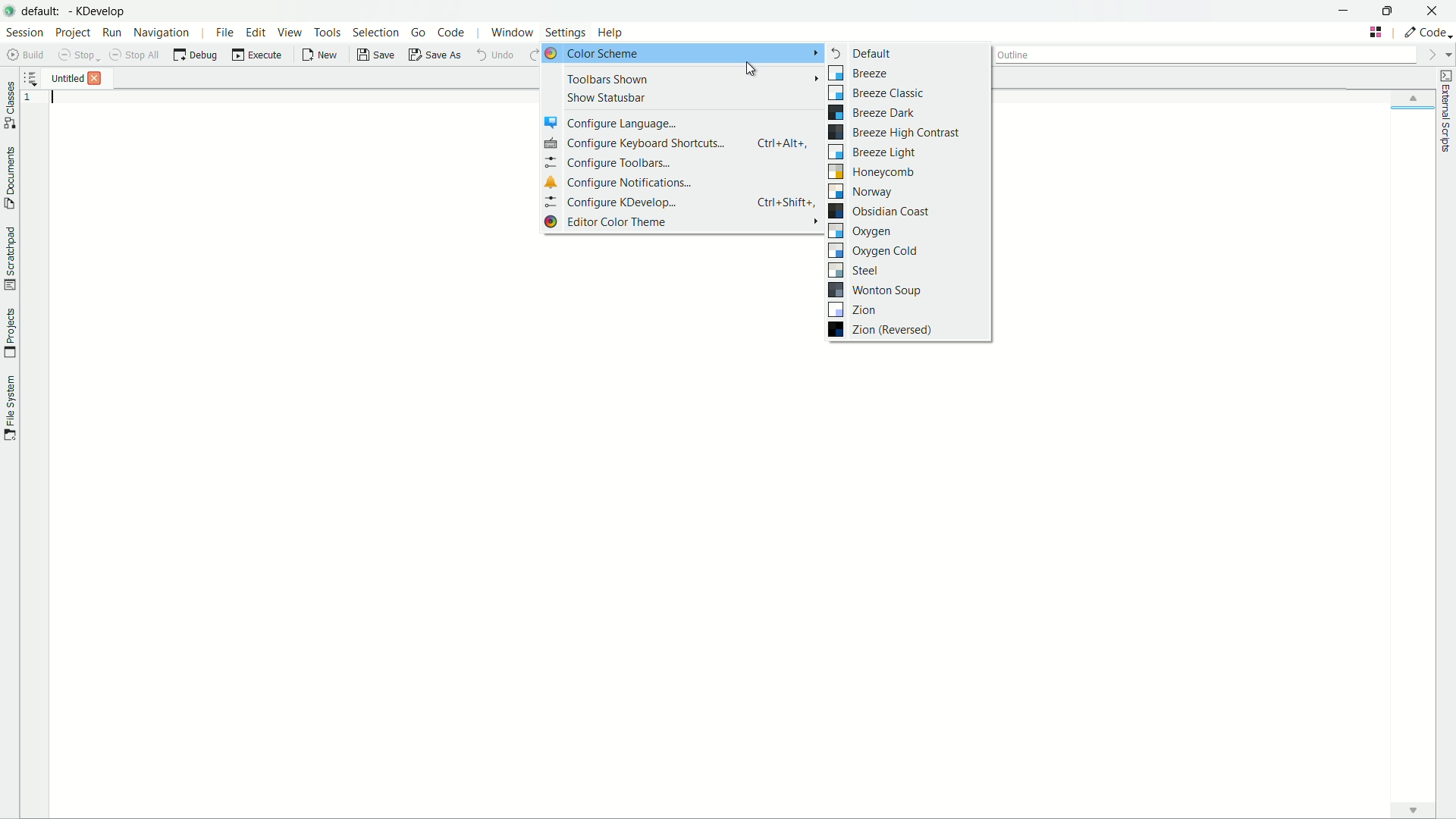 The image size is (1456, 819). What do you see at coordinates (99, 11) in the screenshot?
I see `kdevelop` at bounding box center [99, 11].